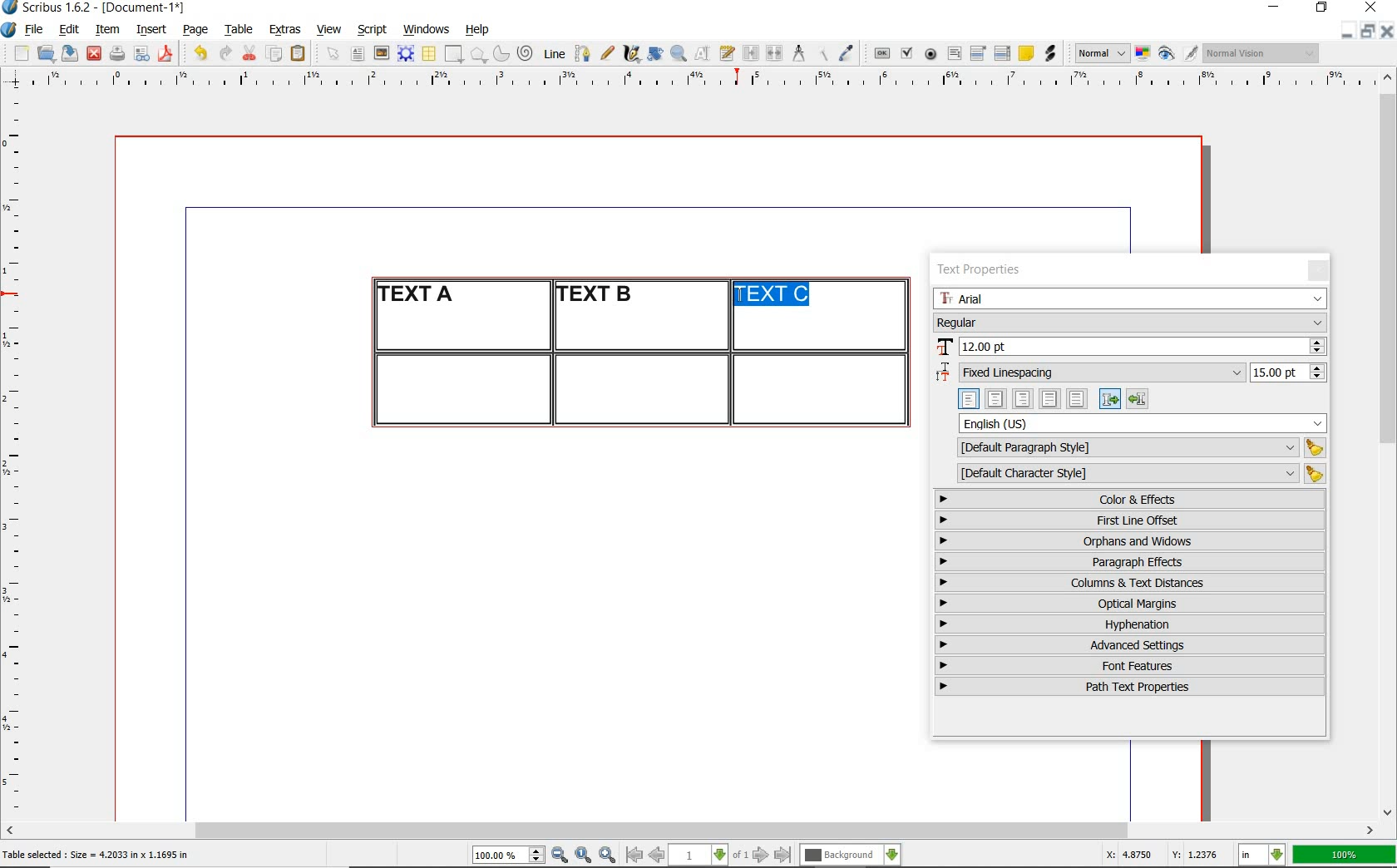  What do you see at coordinates (357, 55) in the screenshot?
I see `text frame` at bounding box center [357, 55].